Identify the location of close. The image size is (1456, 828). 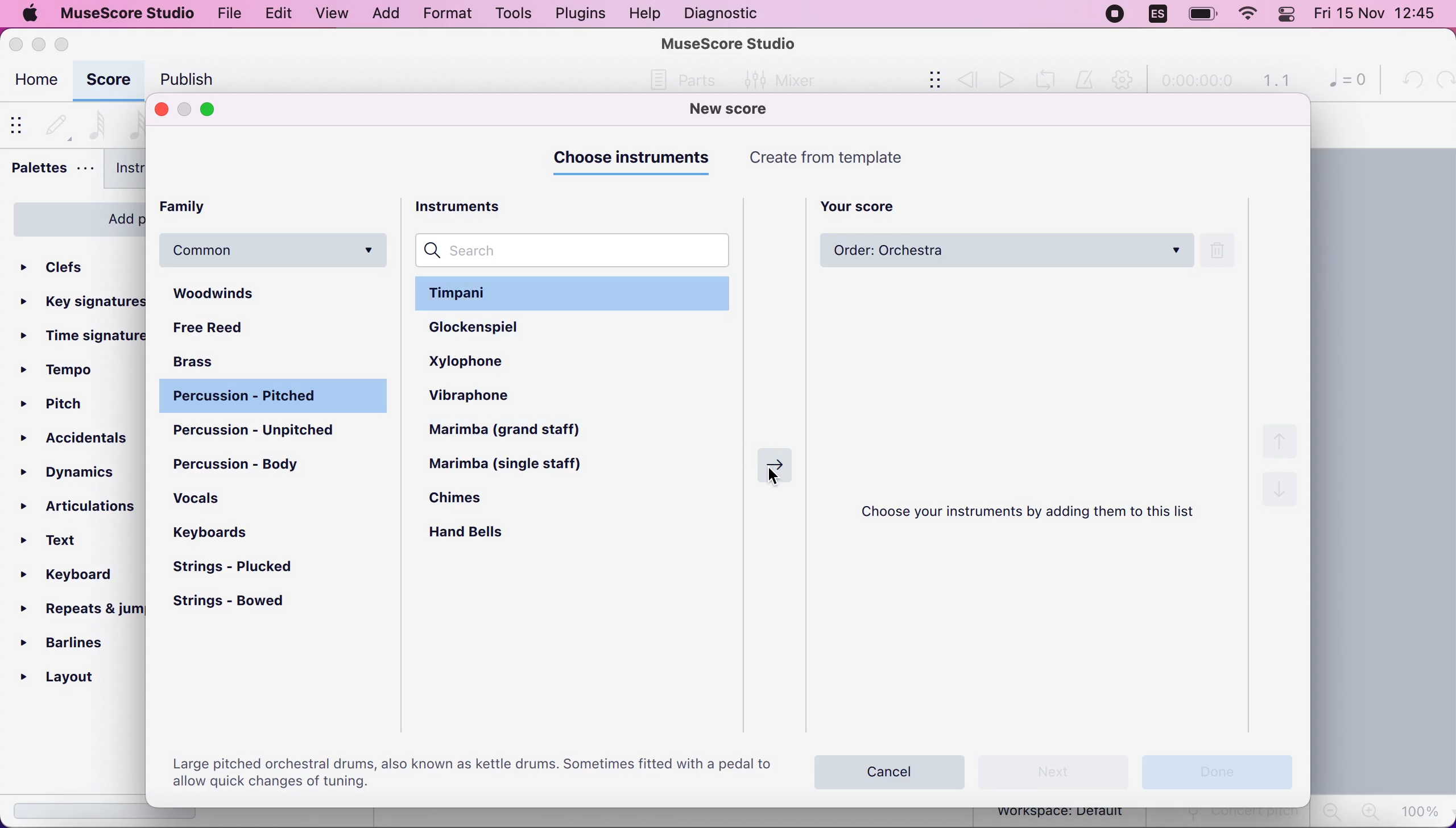
(17, 44).